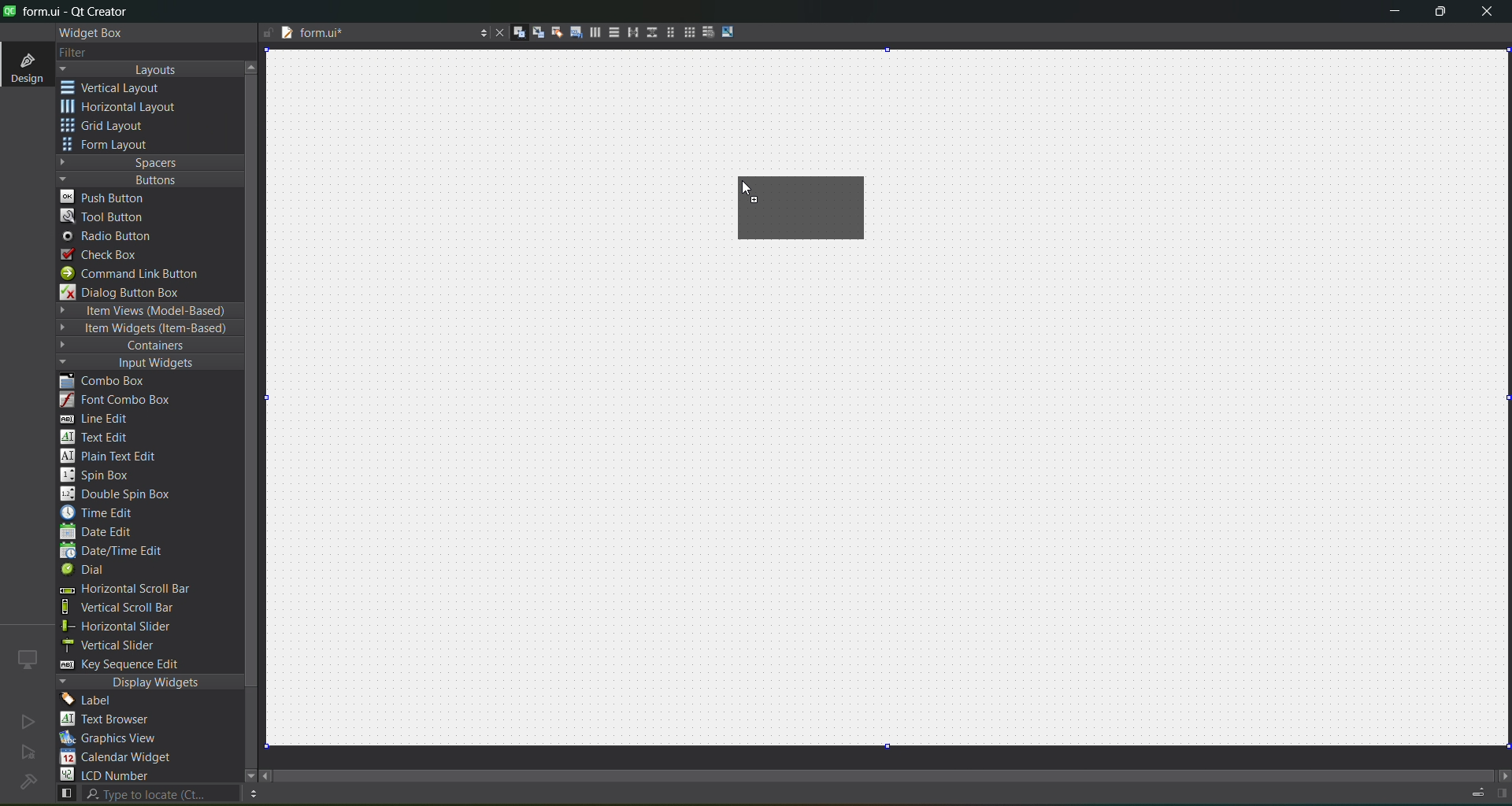  I want to click on layout in a form, so click(665, 32).